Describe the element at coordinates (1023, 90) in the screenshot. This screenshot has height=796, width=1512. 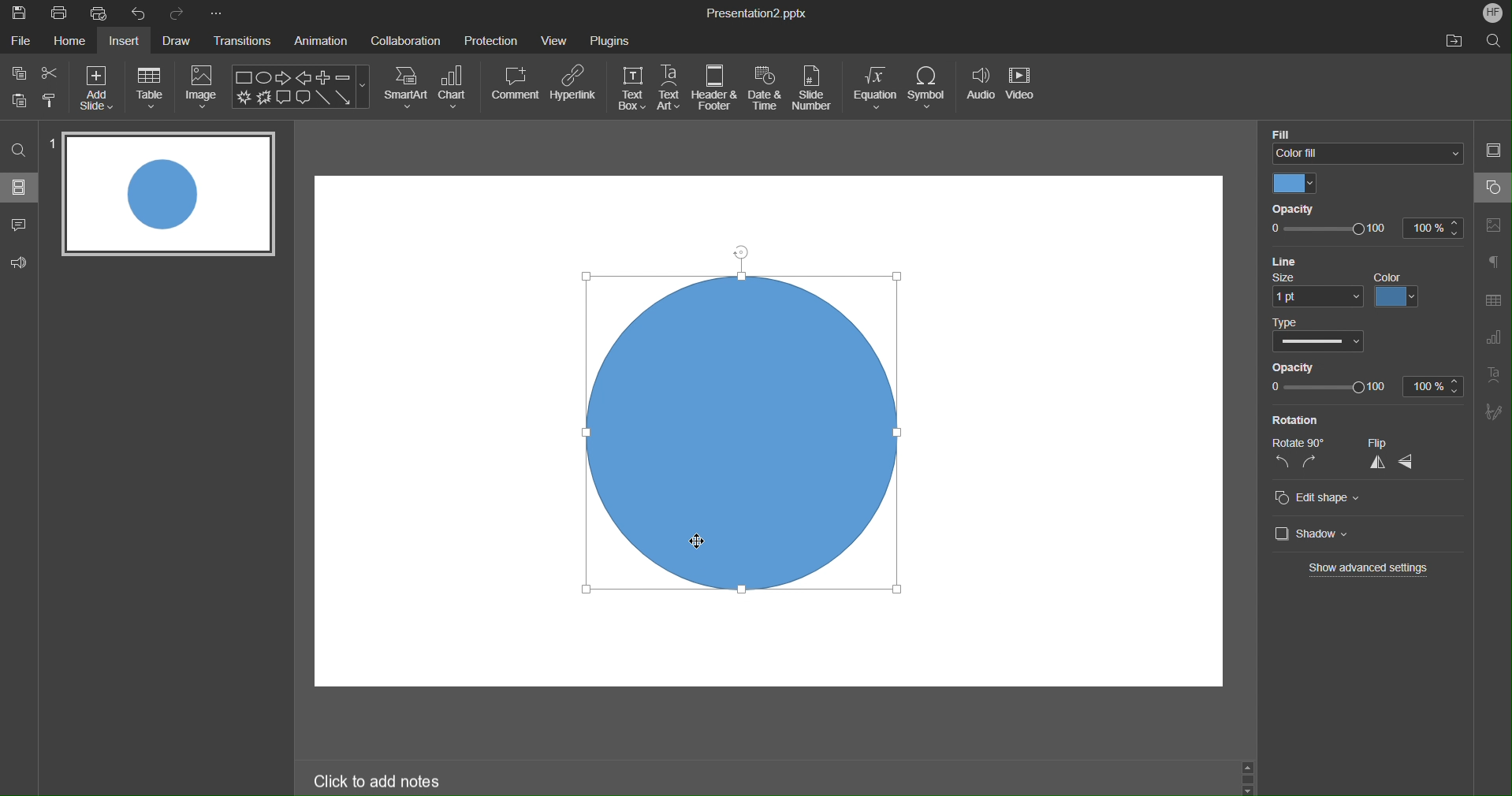
I see `Video` at that location.